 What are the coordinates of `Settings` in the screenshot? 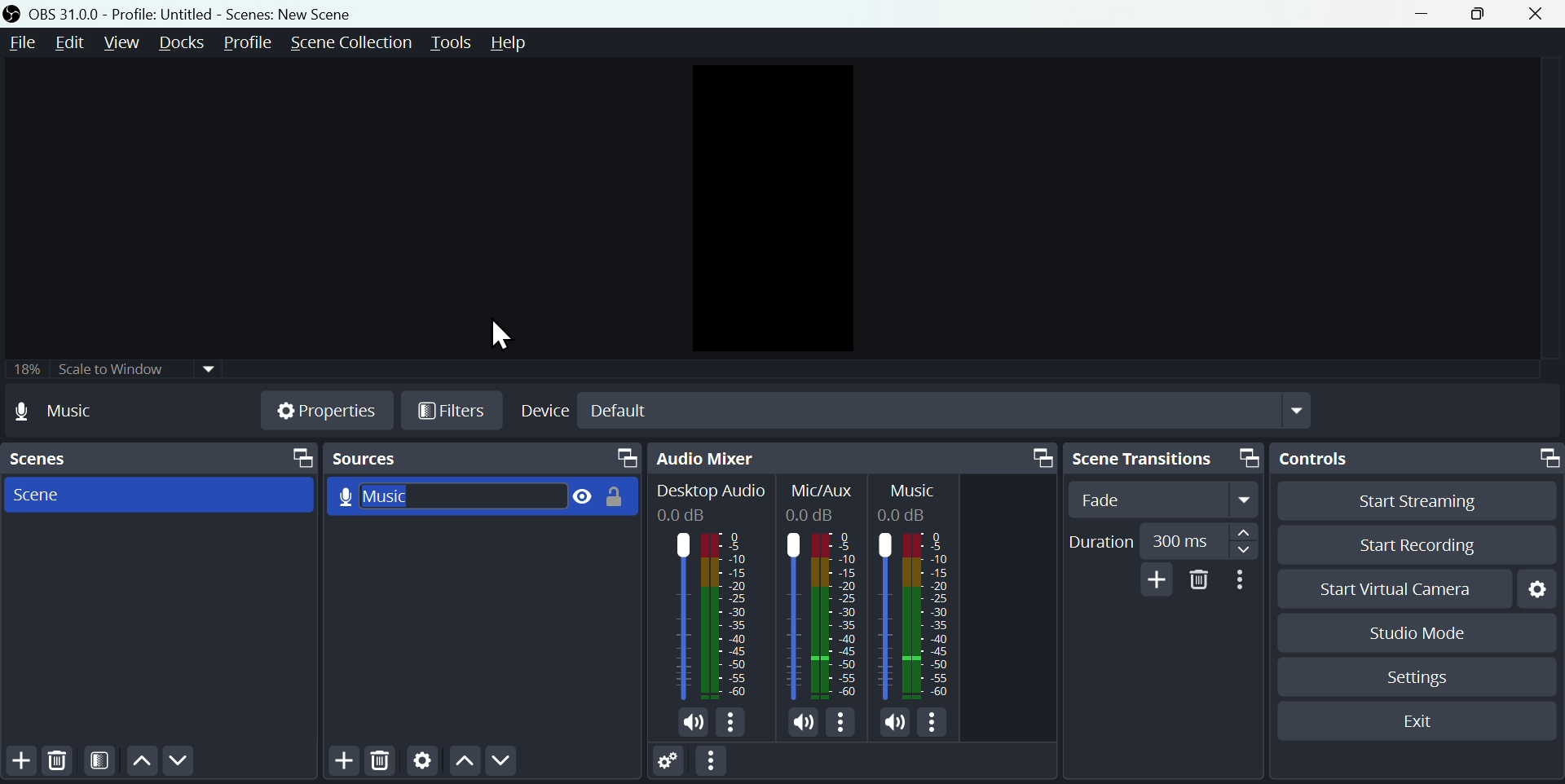 It's located at (421, 764).